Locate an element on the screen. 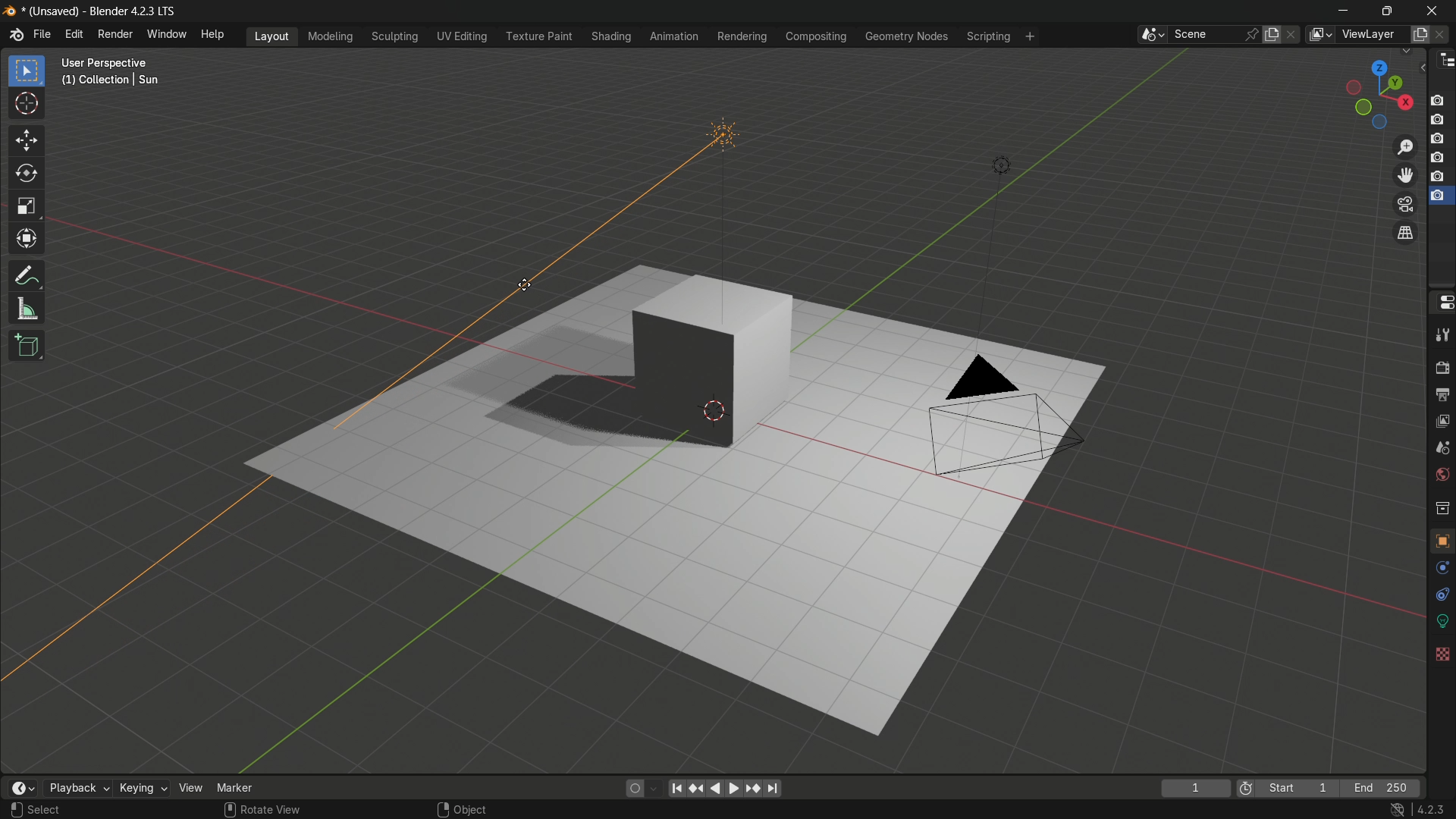  1 is located at coordinates (1197, 787).